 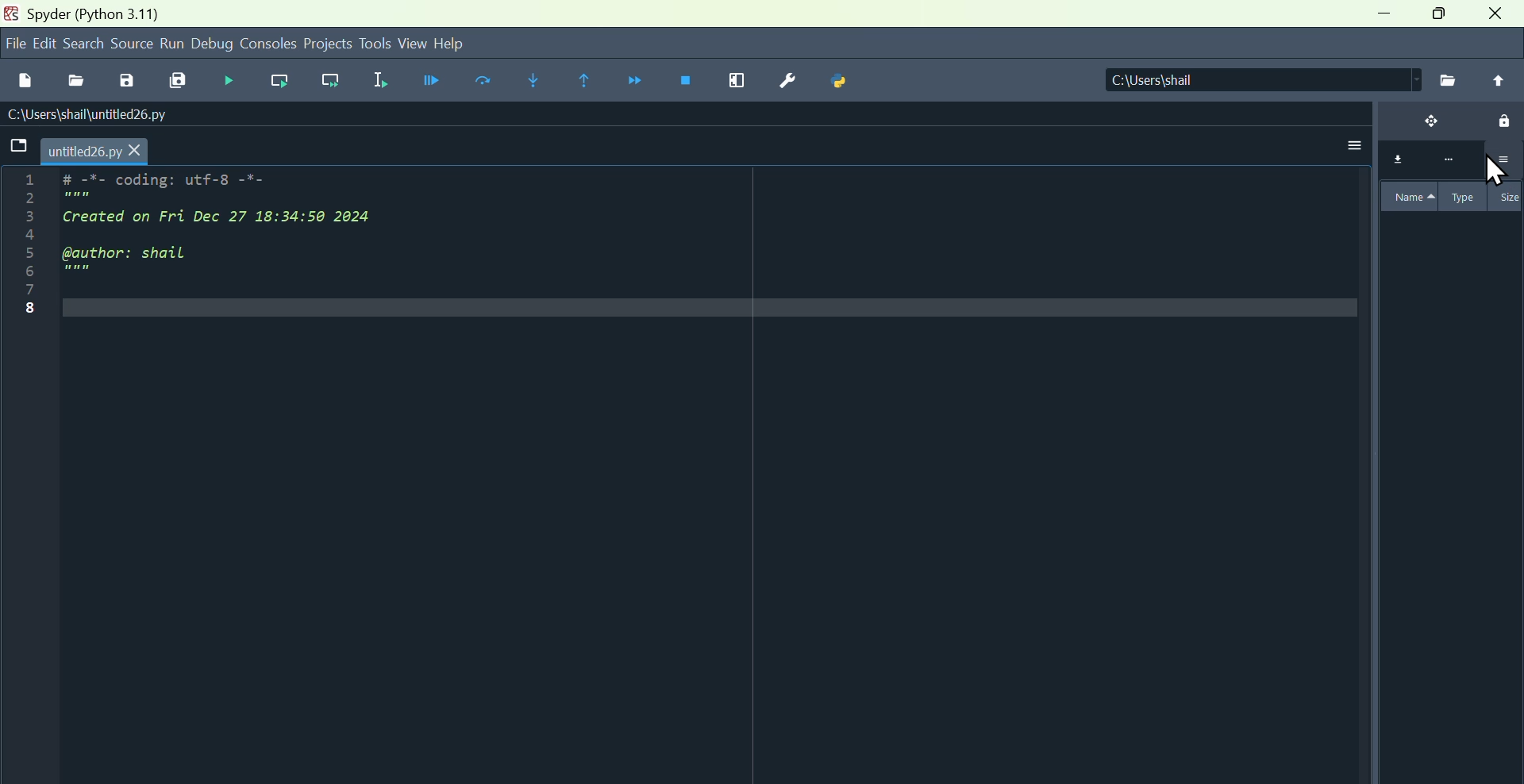 What do you see at coordinates (1448, 375) in the screenshot?
I see `Variable explorer` at bounding box center [1448, 375].